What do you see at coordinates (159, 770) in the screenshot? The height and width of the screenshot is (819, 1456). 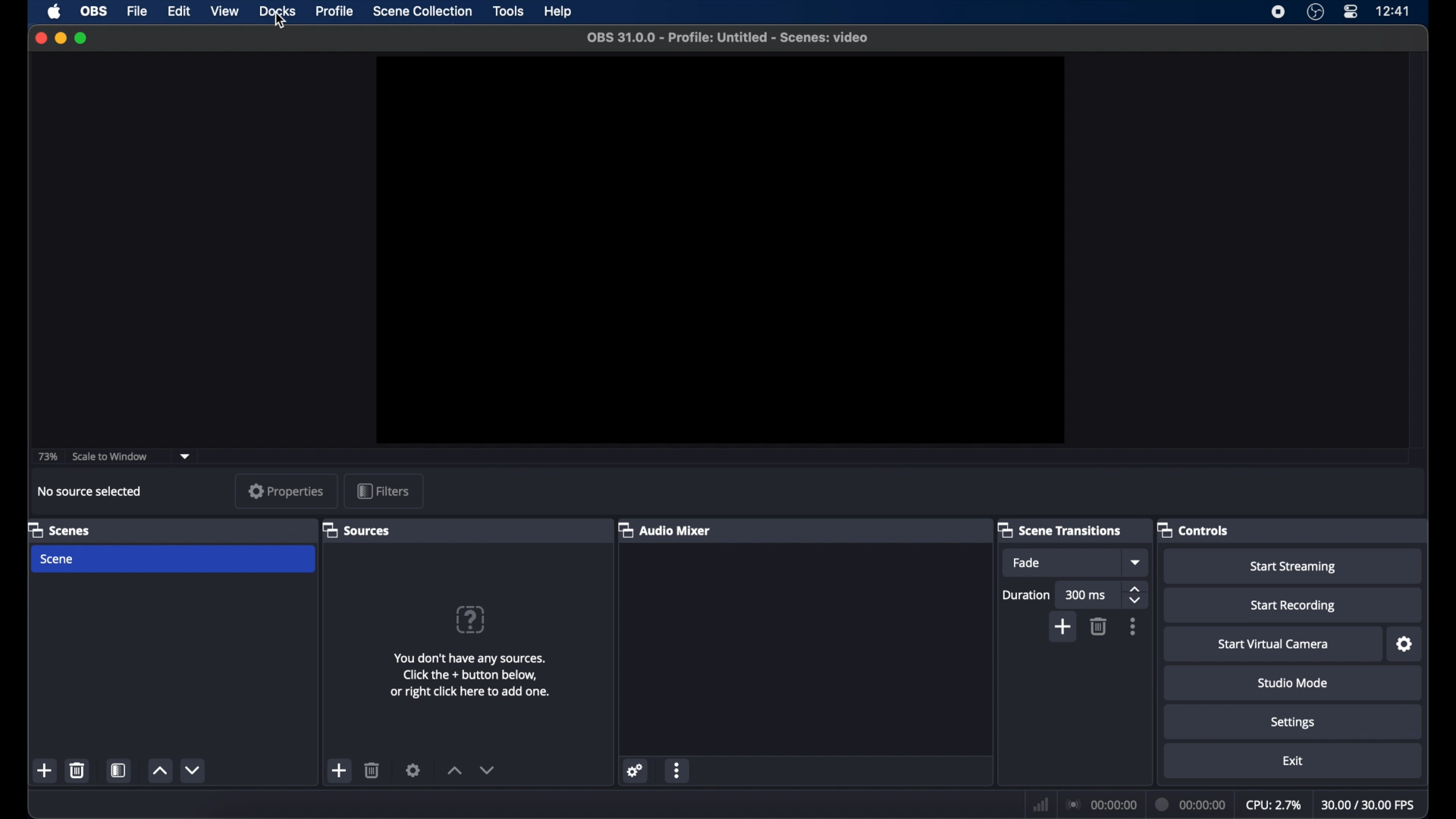 I see `increment` at bounding box center [159, 770].